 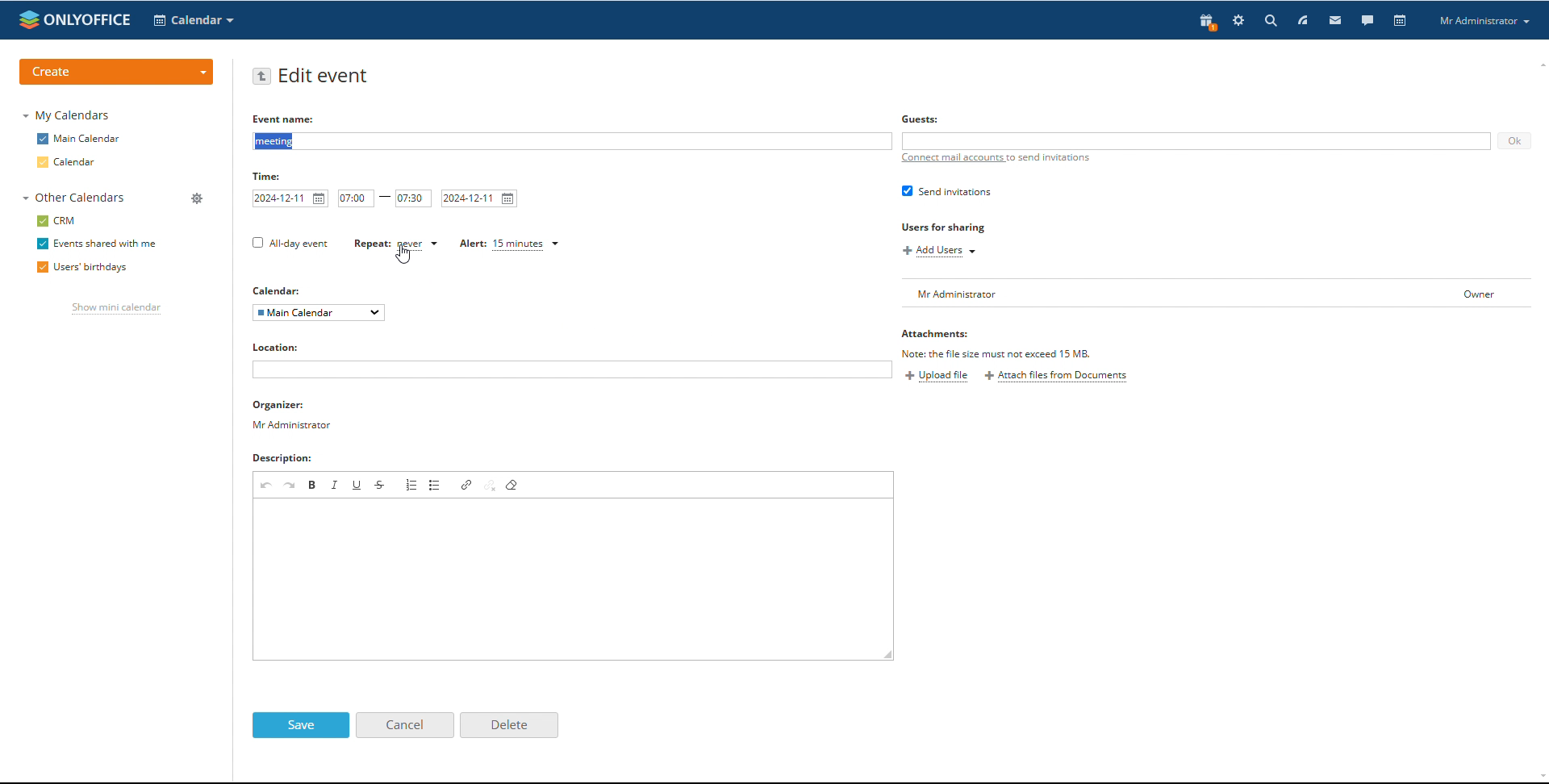 I want to click on Attachments:, so click(x=935, y=336).